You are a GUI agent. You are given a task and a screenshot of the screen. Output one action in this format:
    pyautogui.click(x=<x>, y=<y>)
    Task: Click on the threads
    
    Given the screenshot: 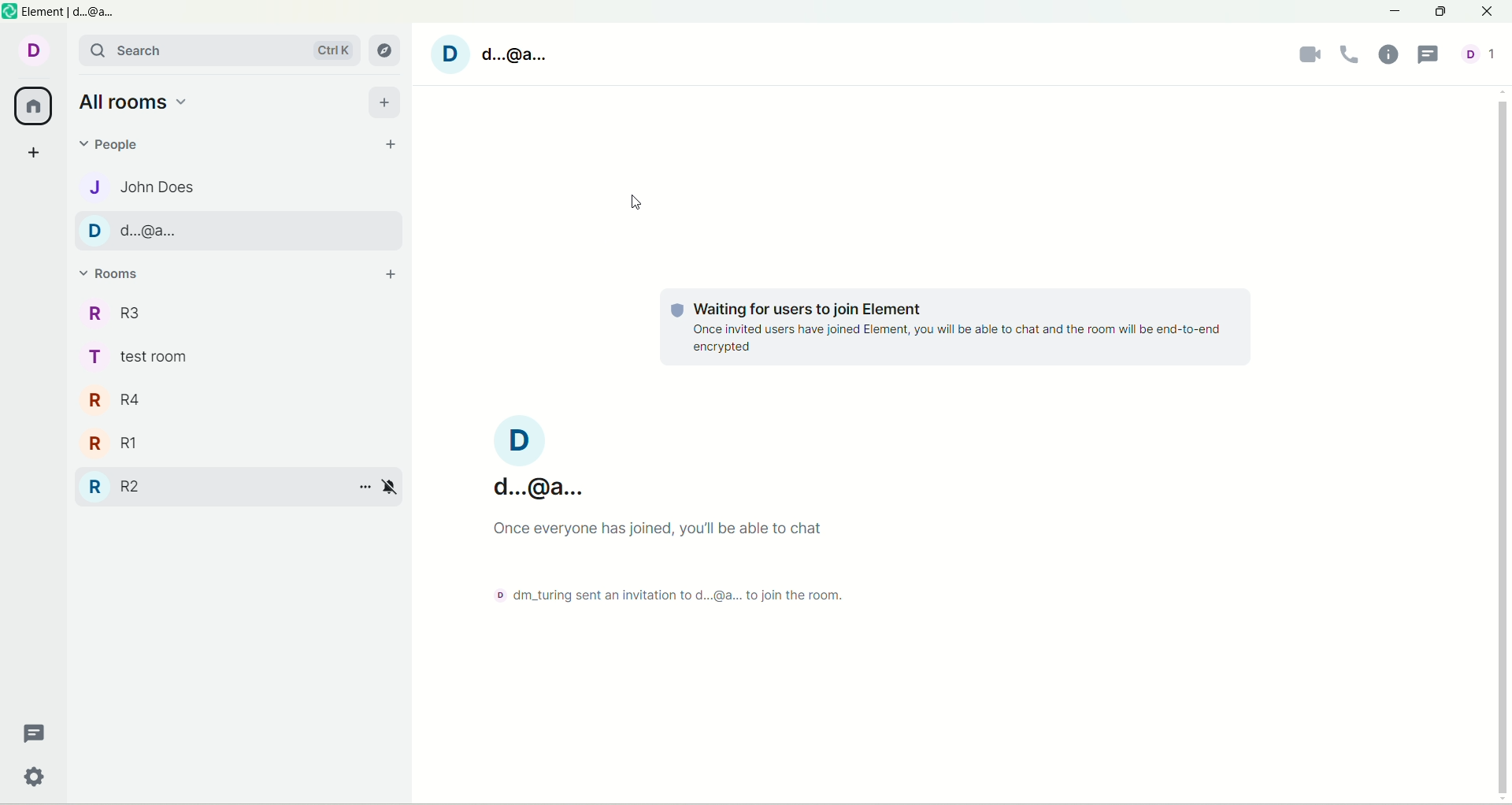 What is the action you would take?
    pyautogui.click(x=1428, y=54)
    